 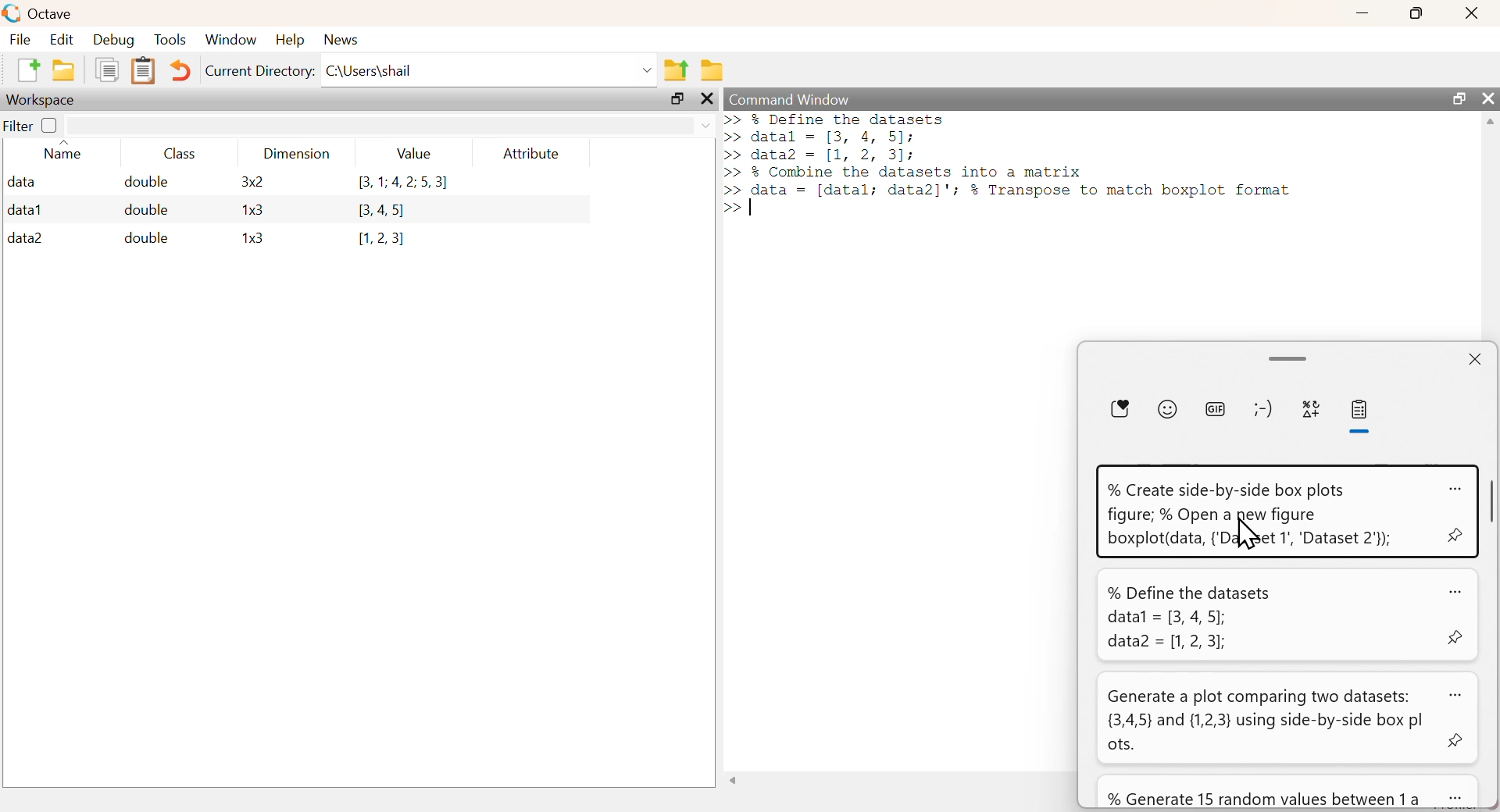 What do you see at coordinates (794, 98) in the screenshot?
I see `Command Window` at bounding box center [794, 98].